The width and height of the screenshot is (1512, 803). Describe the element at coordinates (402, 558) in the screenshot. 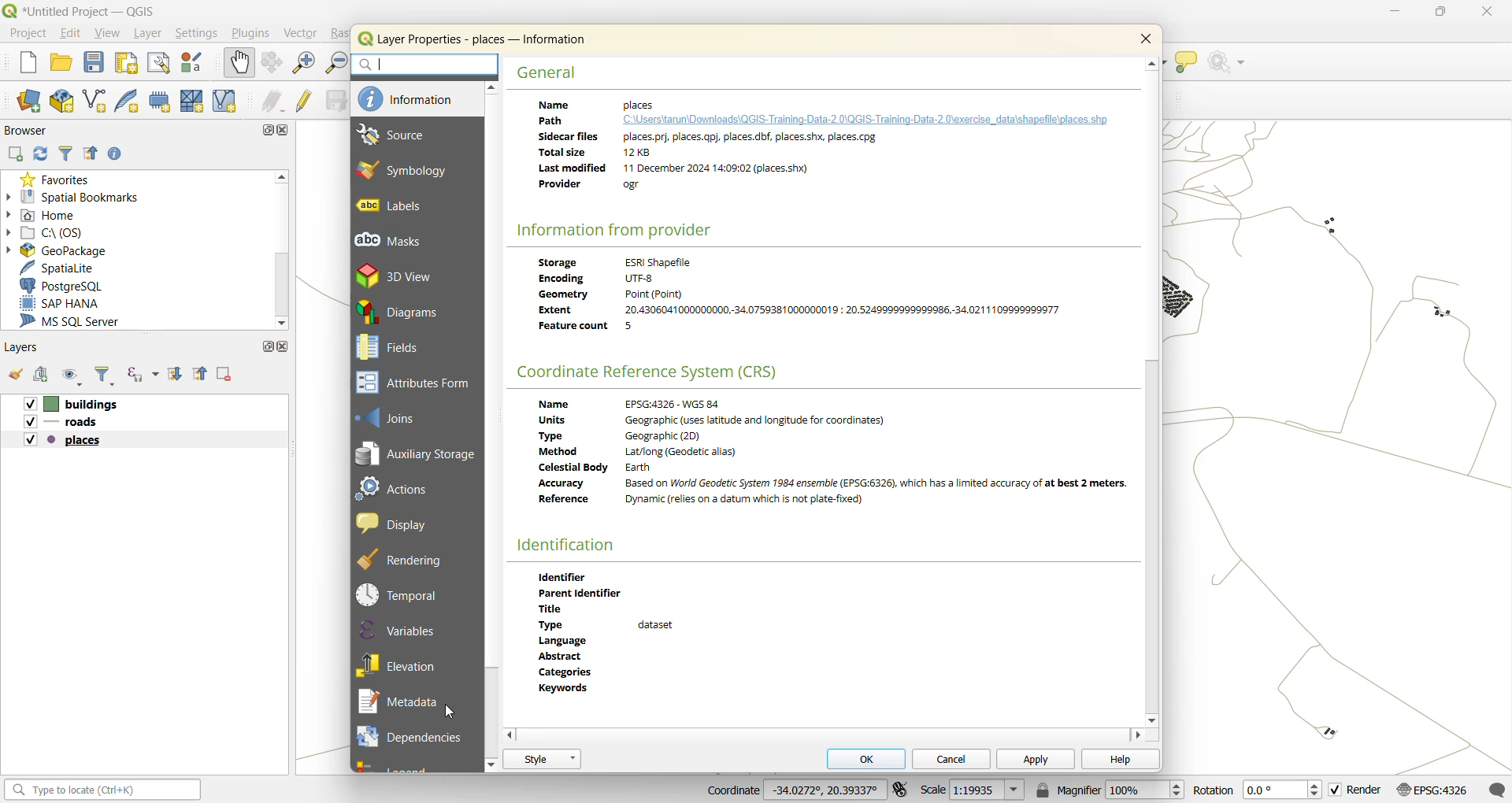

I see `rendering` at that location.